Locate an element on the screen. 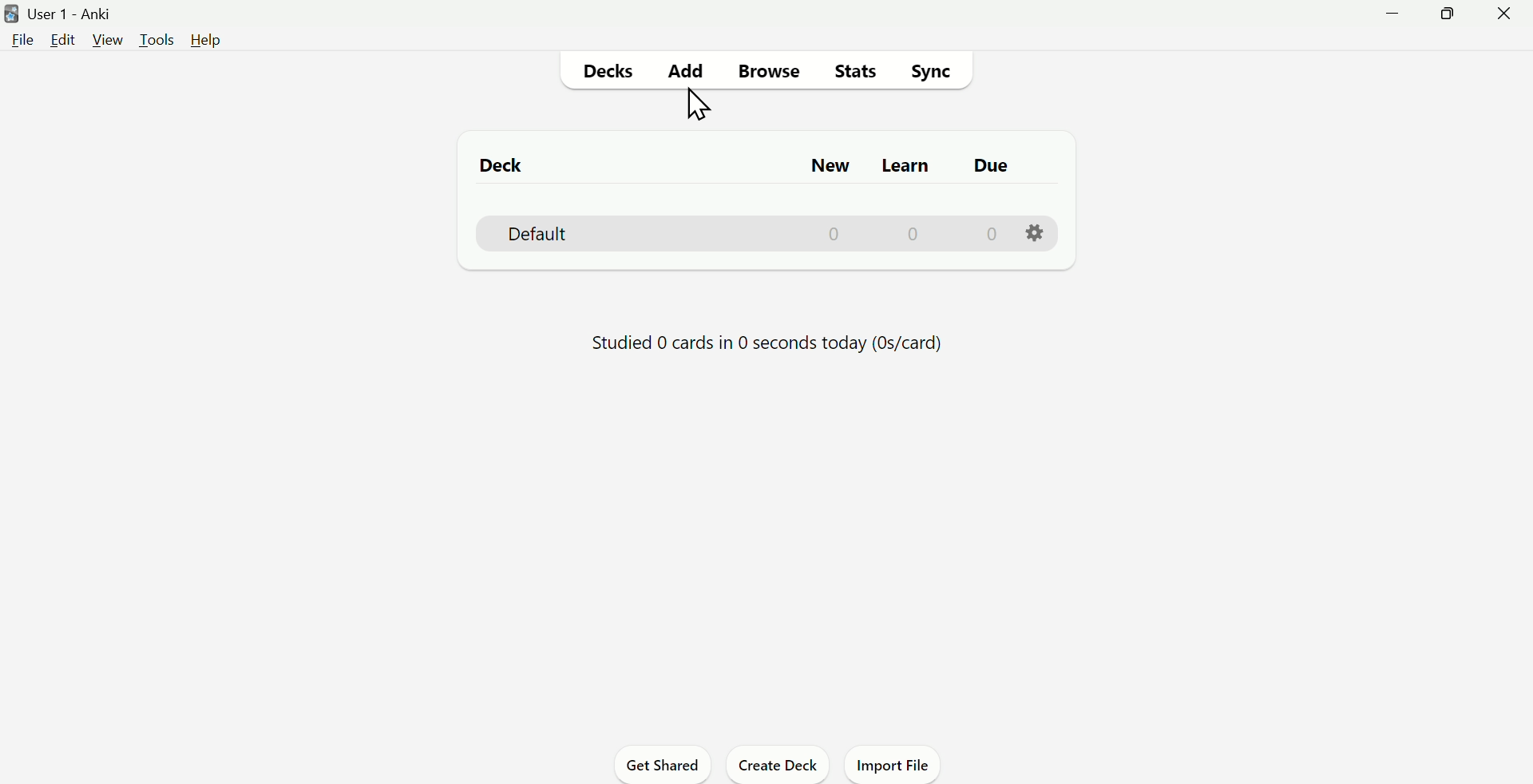 The height and width of the screenshot is (784, 1533). Help is located at coordinates (208, 41).